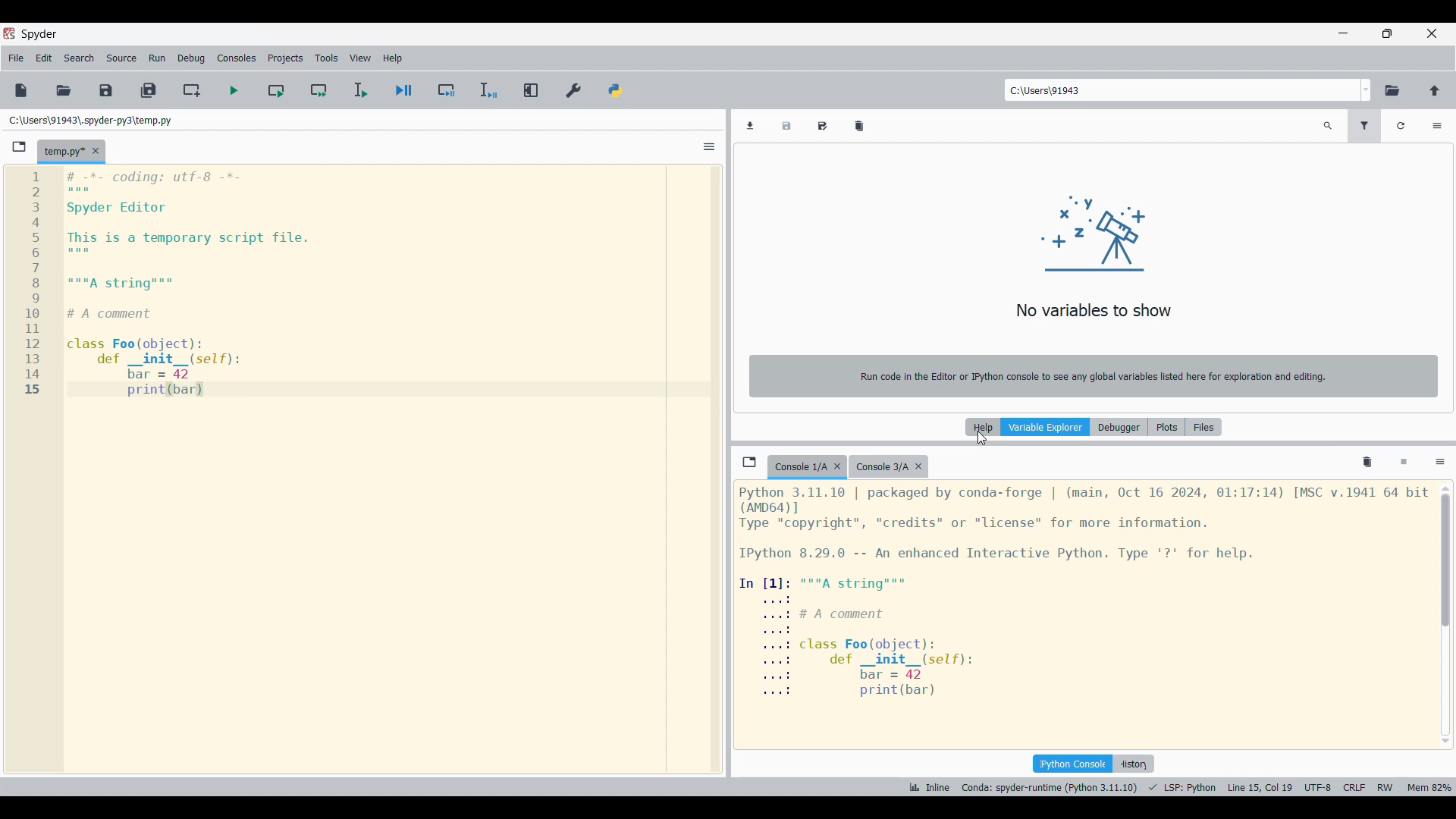  Describe the element at coordinates (1441, 463) in the screenshot. I see `Options` at that location.